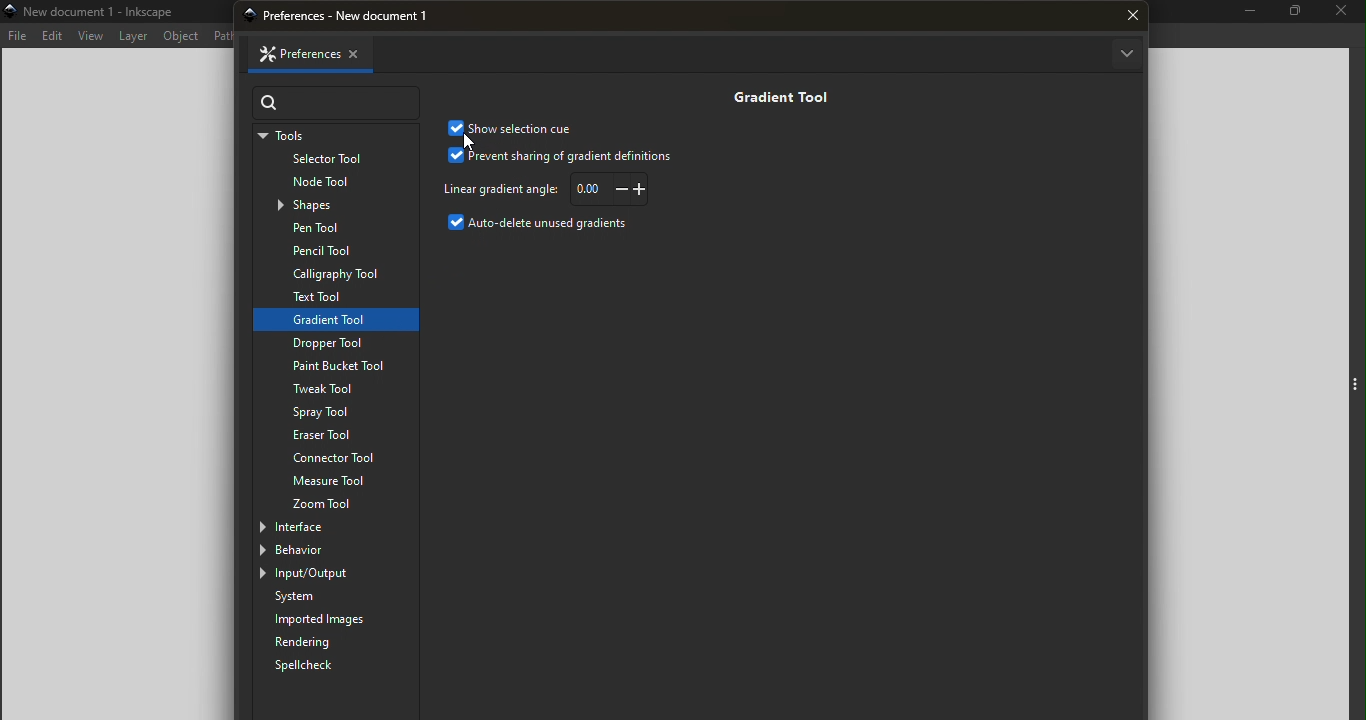  What do you see at coordinates (336, 481) in the screenshot?
I see `Measure tool` at bounding box center [336, 481].